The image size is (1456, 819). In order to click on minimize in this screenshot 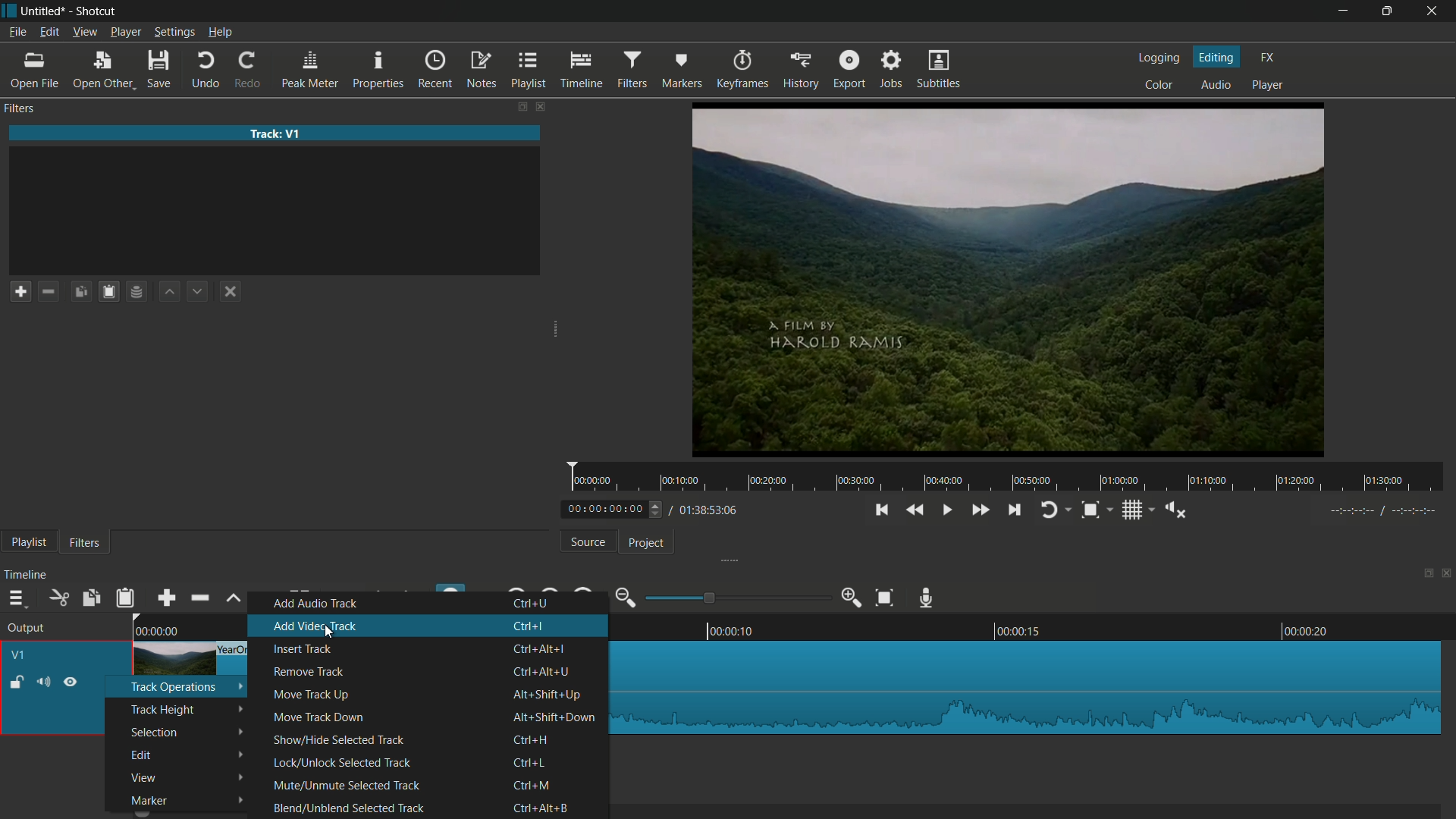, I will do `click(1346, 11)`.